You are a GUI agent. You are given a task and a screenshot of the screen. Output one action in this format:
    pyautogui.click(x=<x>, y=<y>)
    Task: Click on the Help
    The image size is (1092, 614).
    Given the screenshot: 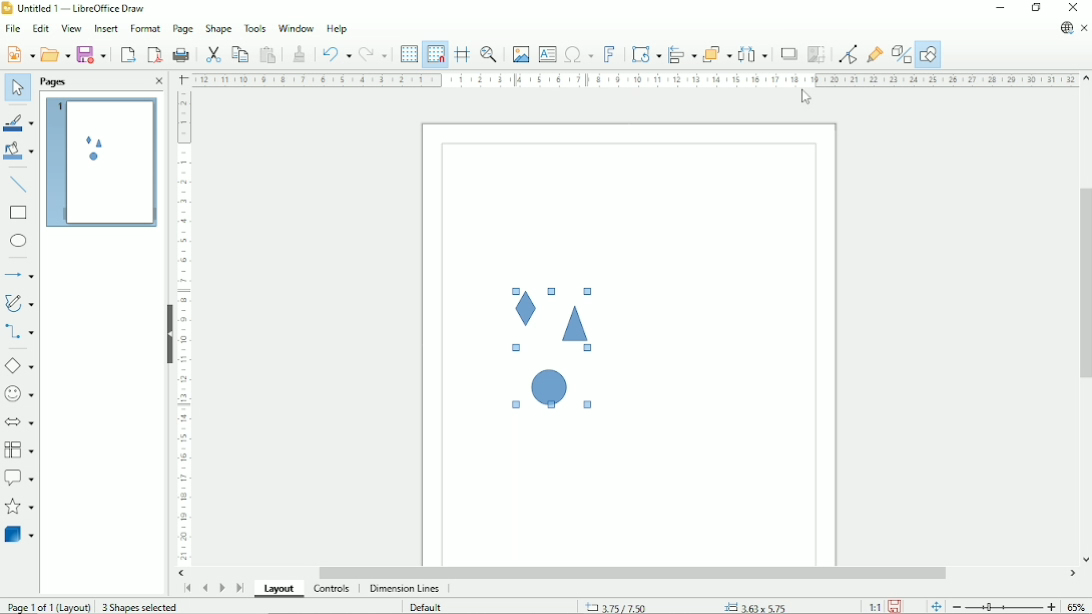 What is the action you would take?
    pyautogui.click(x=337, y=29)
    